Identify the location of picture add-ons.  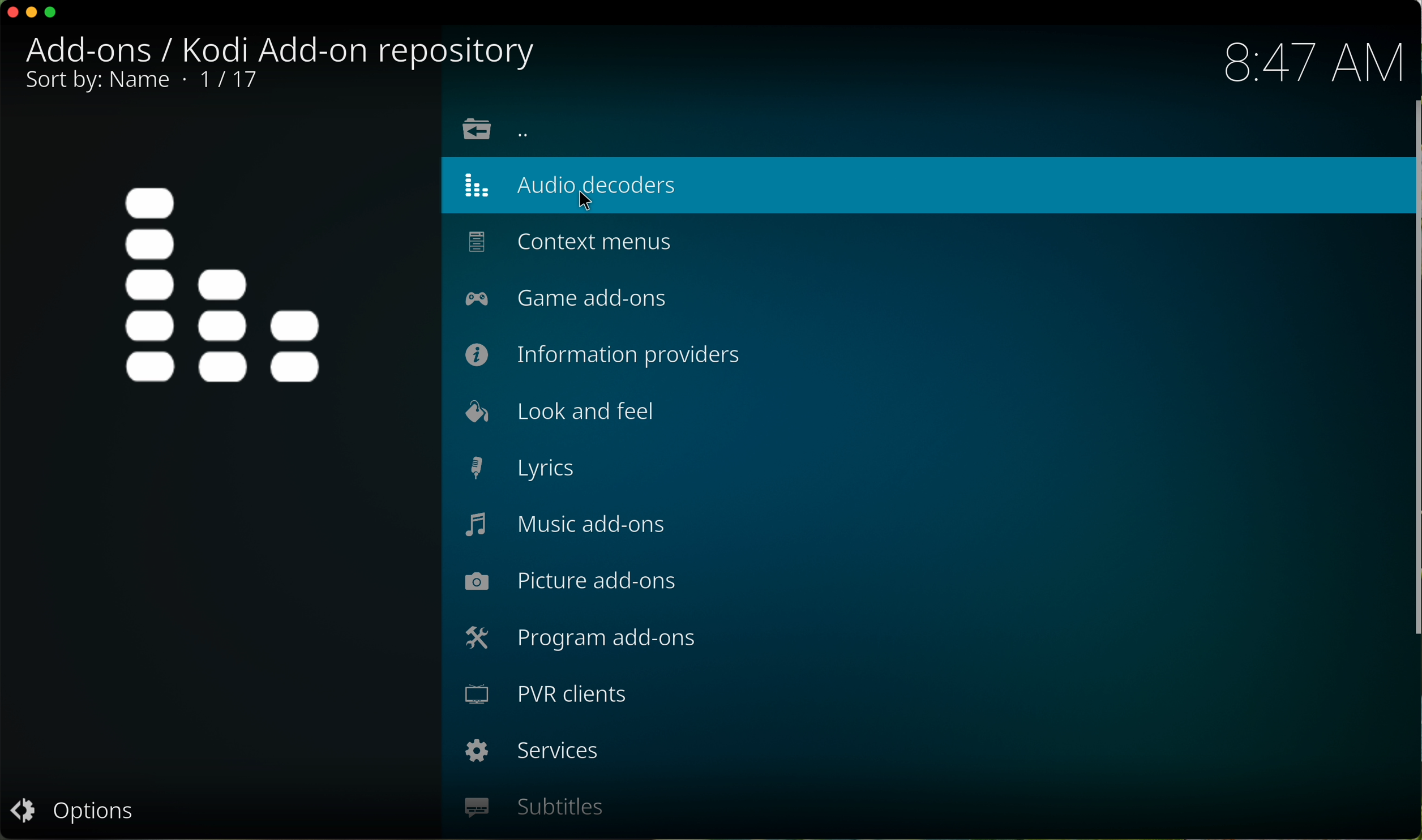
(571, 582).